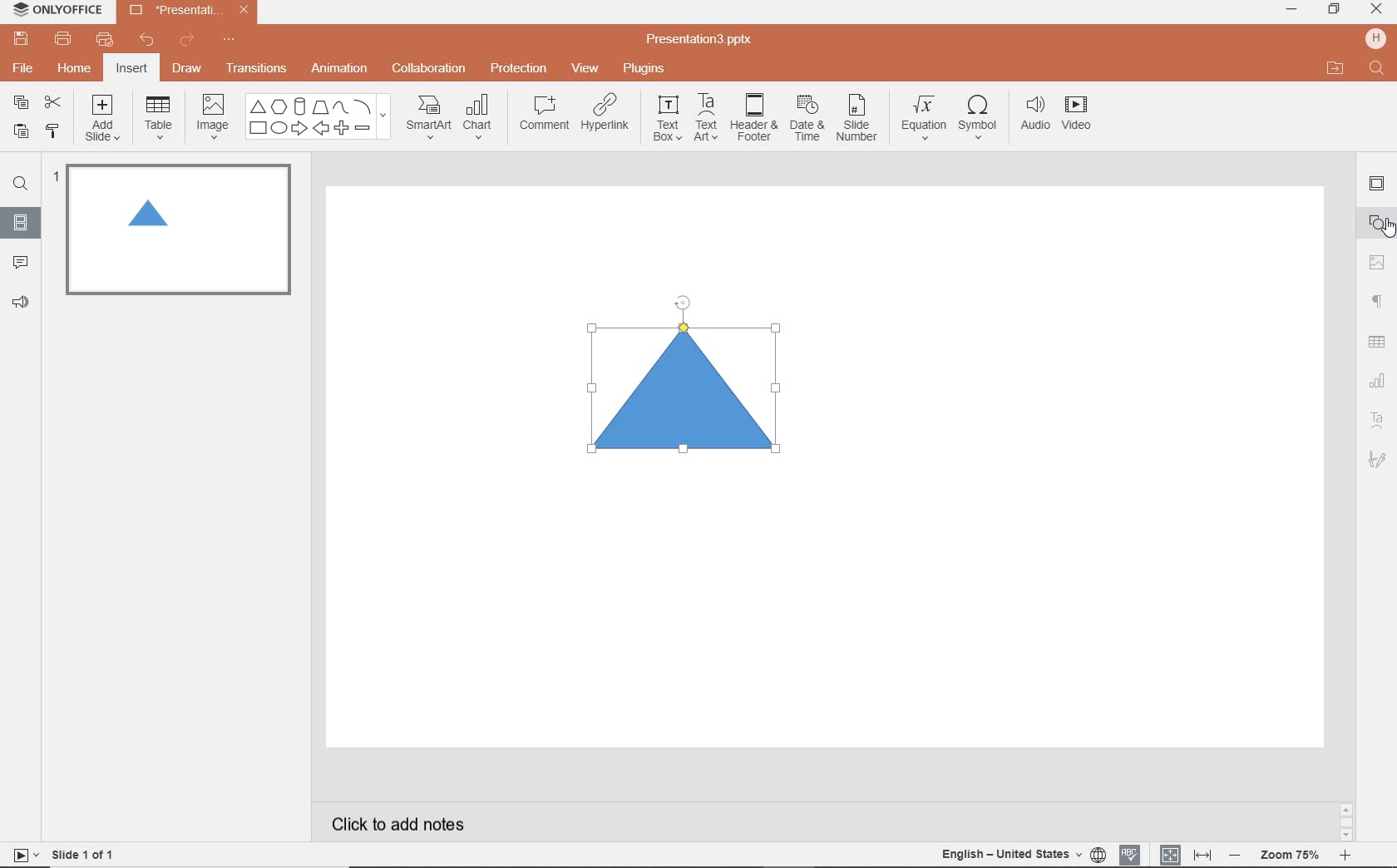 This screenshot has height=868, width=1397. Describe the element at coordinates (980, 114) in the screenshot. I see `SYMBOL` at that location.